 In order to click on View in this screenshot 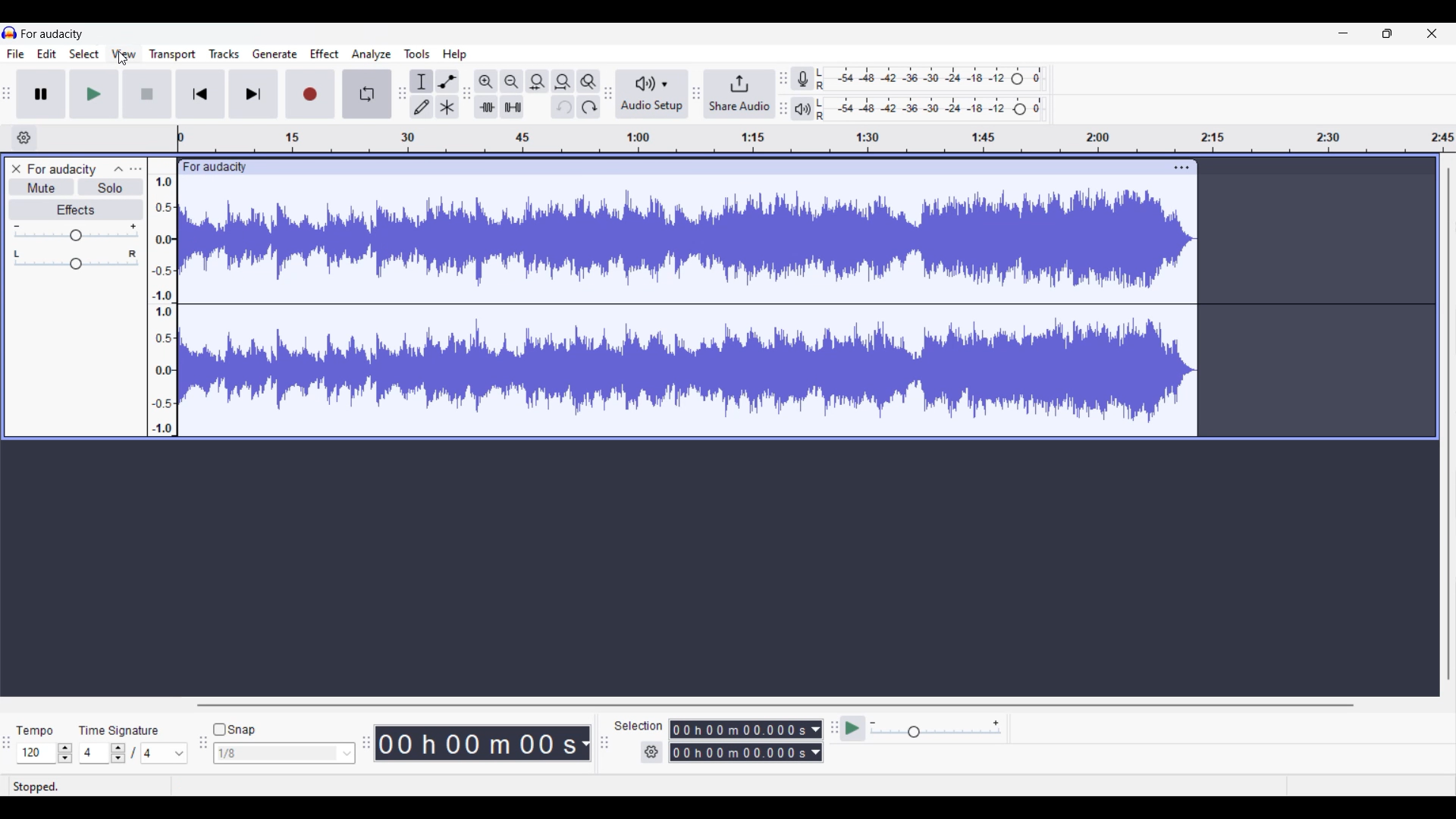, I will do `click(124, 54)`.